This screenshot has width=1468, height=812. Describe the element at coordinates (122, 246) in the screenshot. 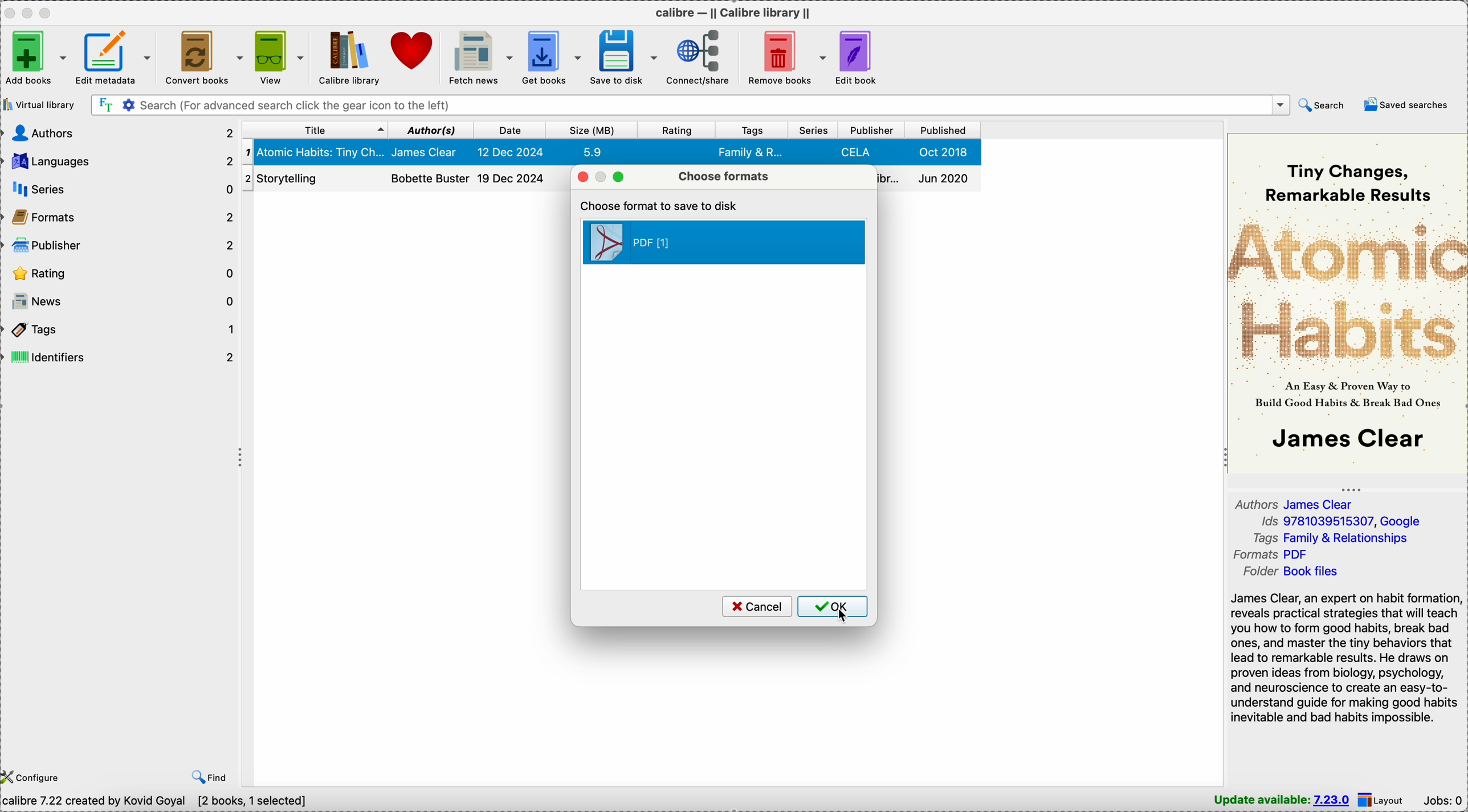

I see `publisher` at that location.